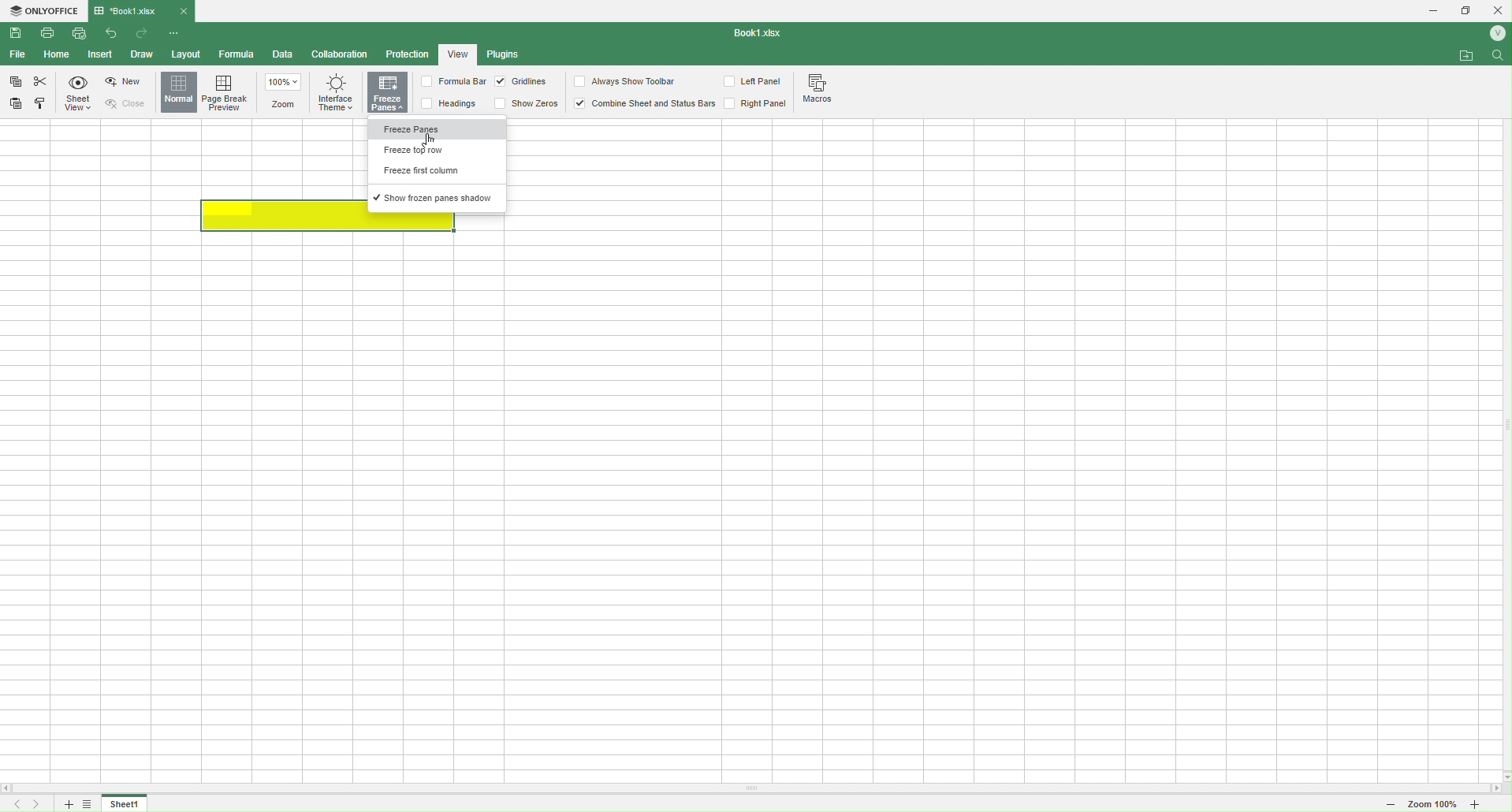 The image size is (1512, 812). Describe the element at coordinates (52, 36) in the screenshot. I see `Print File` at that location.